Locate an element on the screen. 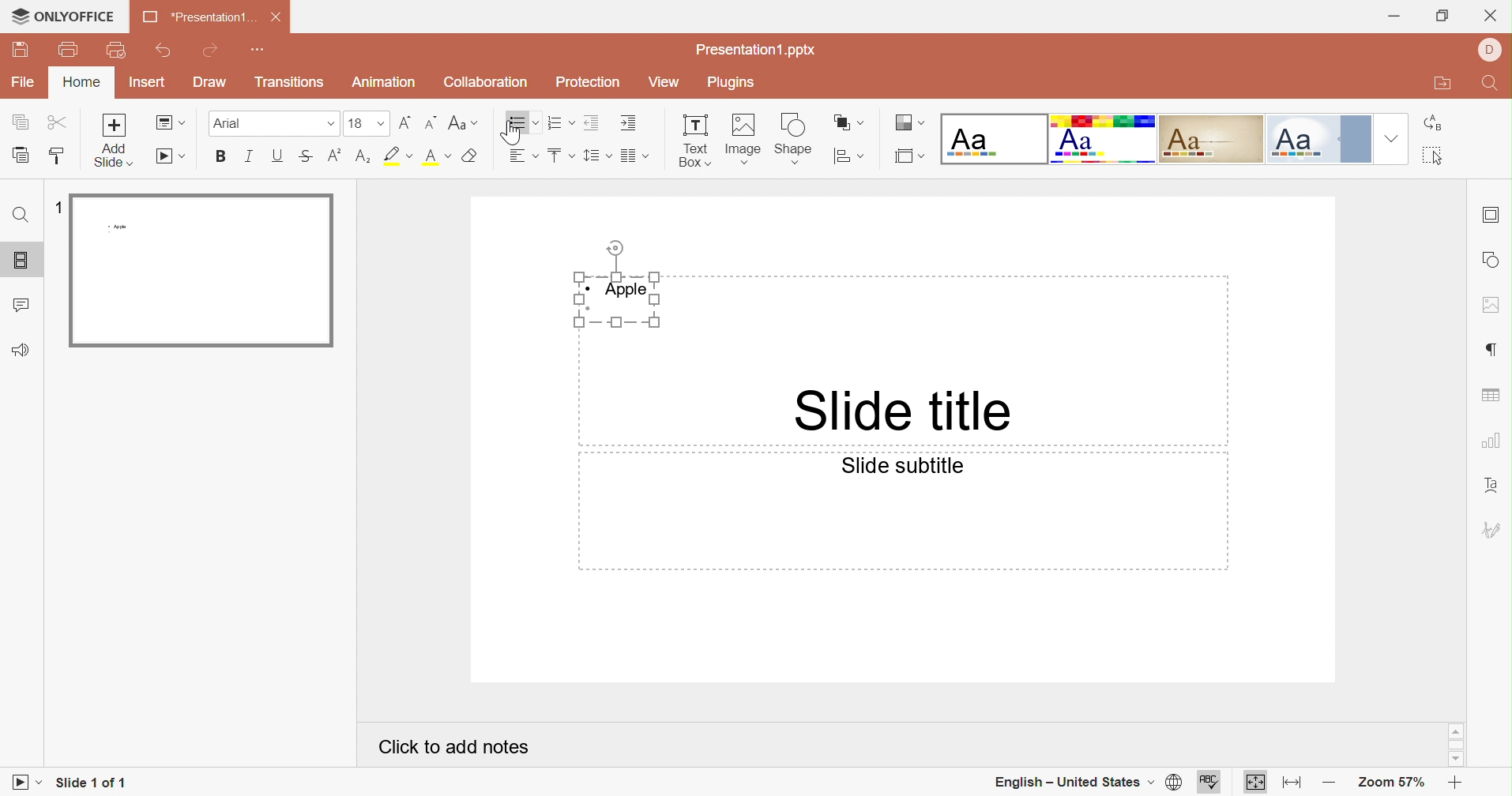 The height and width of the screenshot is (796, 1512). Apple is located at coordinates (629, 289).